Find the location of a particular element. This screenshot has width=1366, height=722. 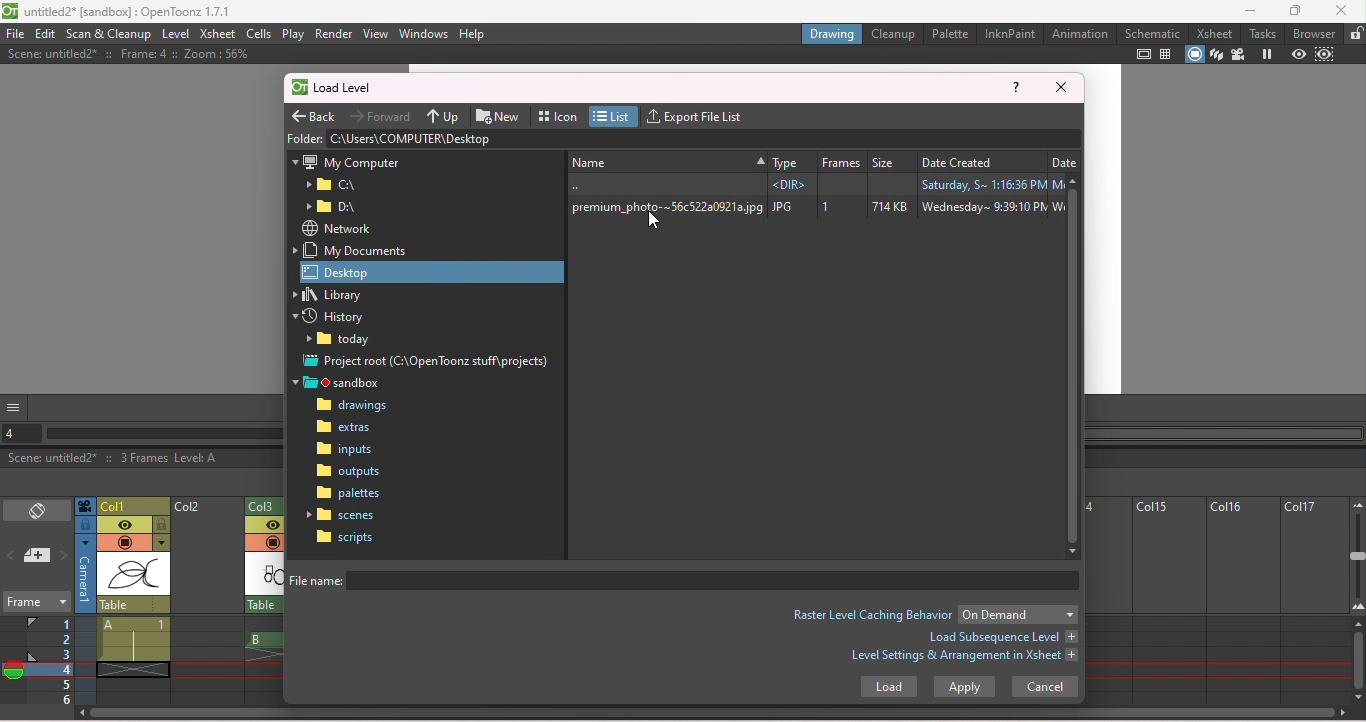

Xsheet is located at coordinates (1217, 33).